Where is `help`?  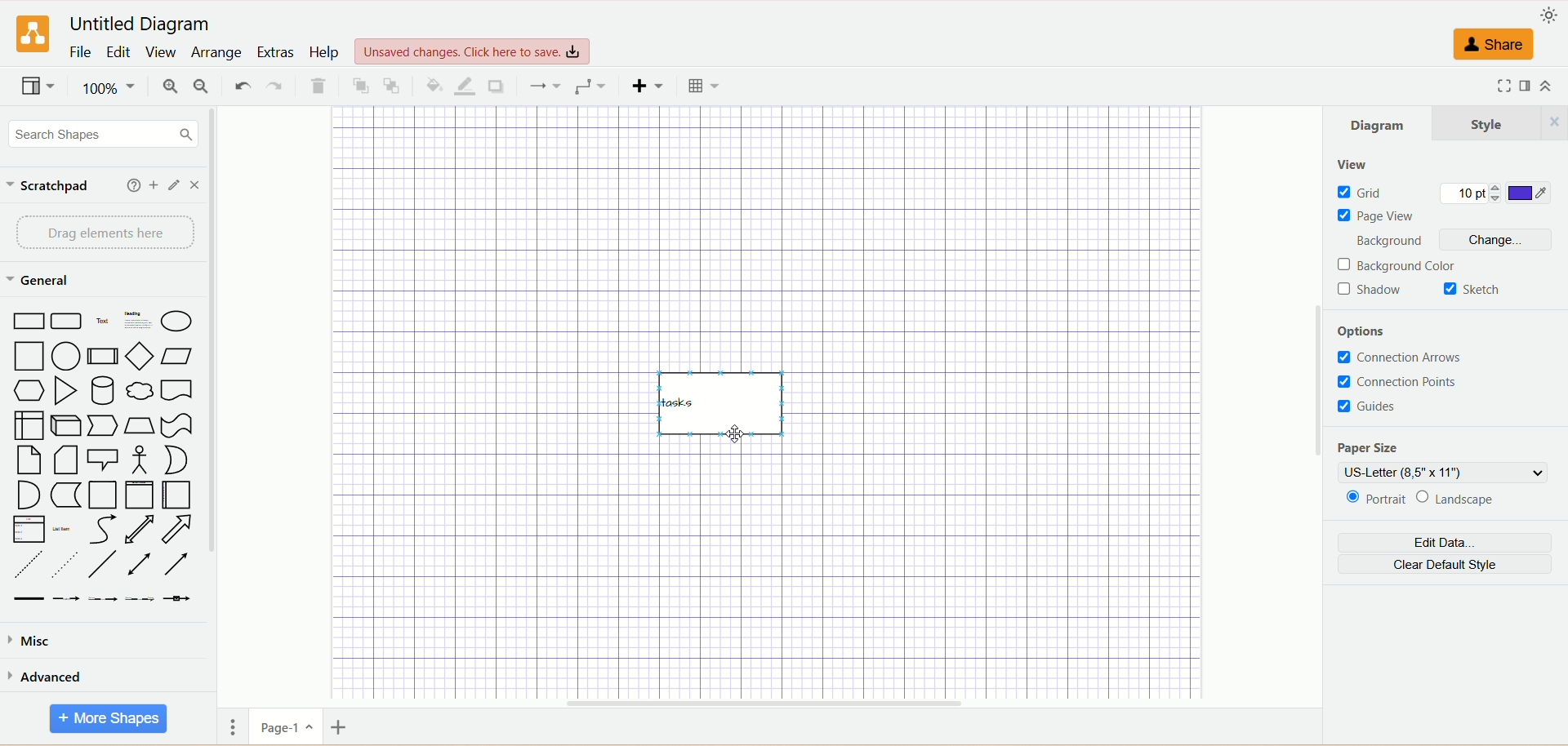
help is located at coordinates (134, 184).